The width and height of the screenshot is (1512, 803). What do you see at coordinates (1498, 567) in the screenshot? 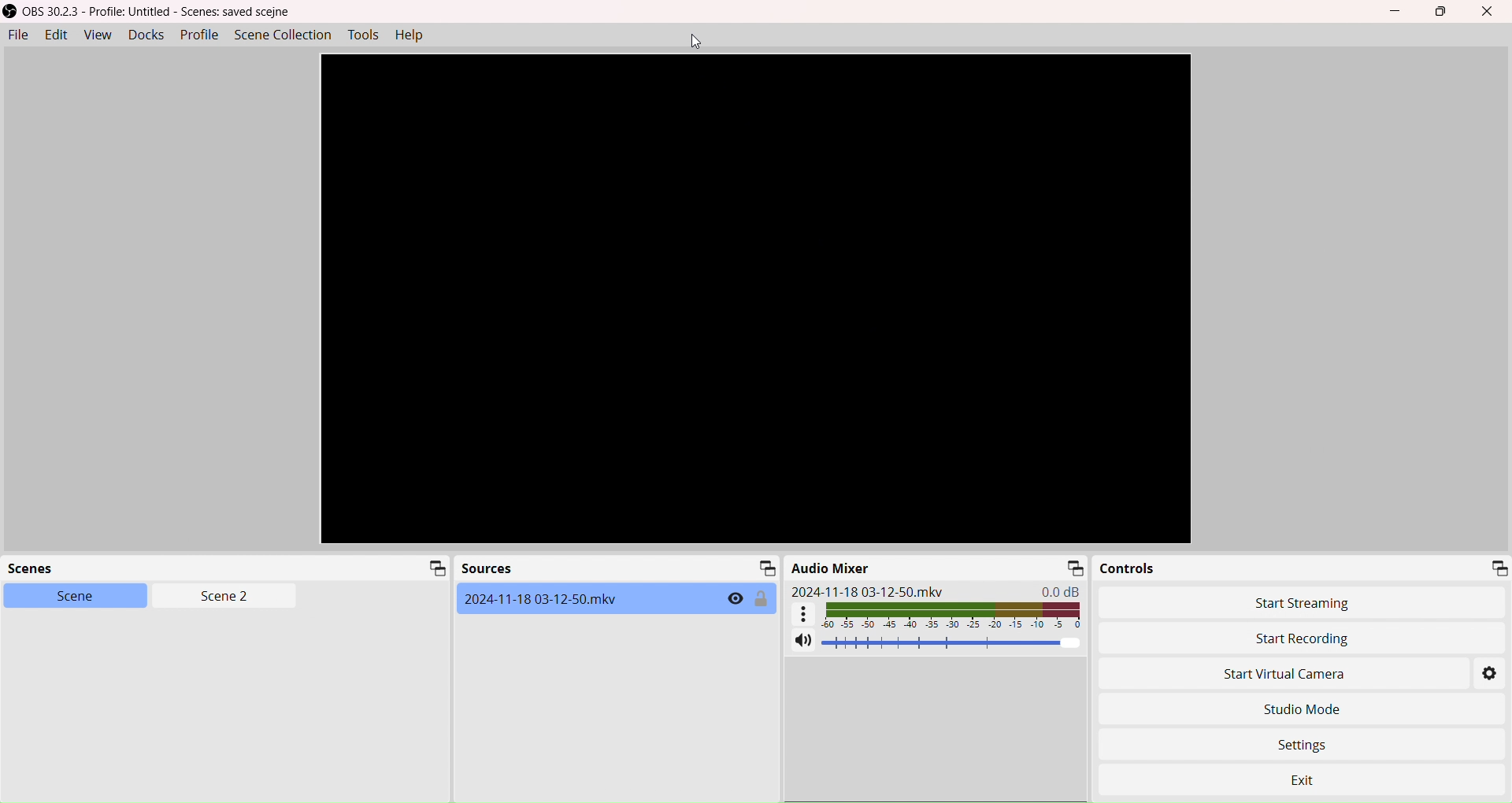
I see `Expand` at bounding box center [1498, 567].